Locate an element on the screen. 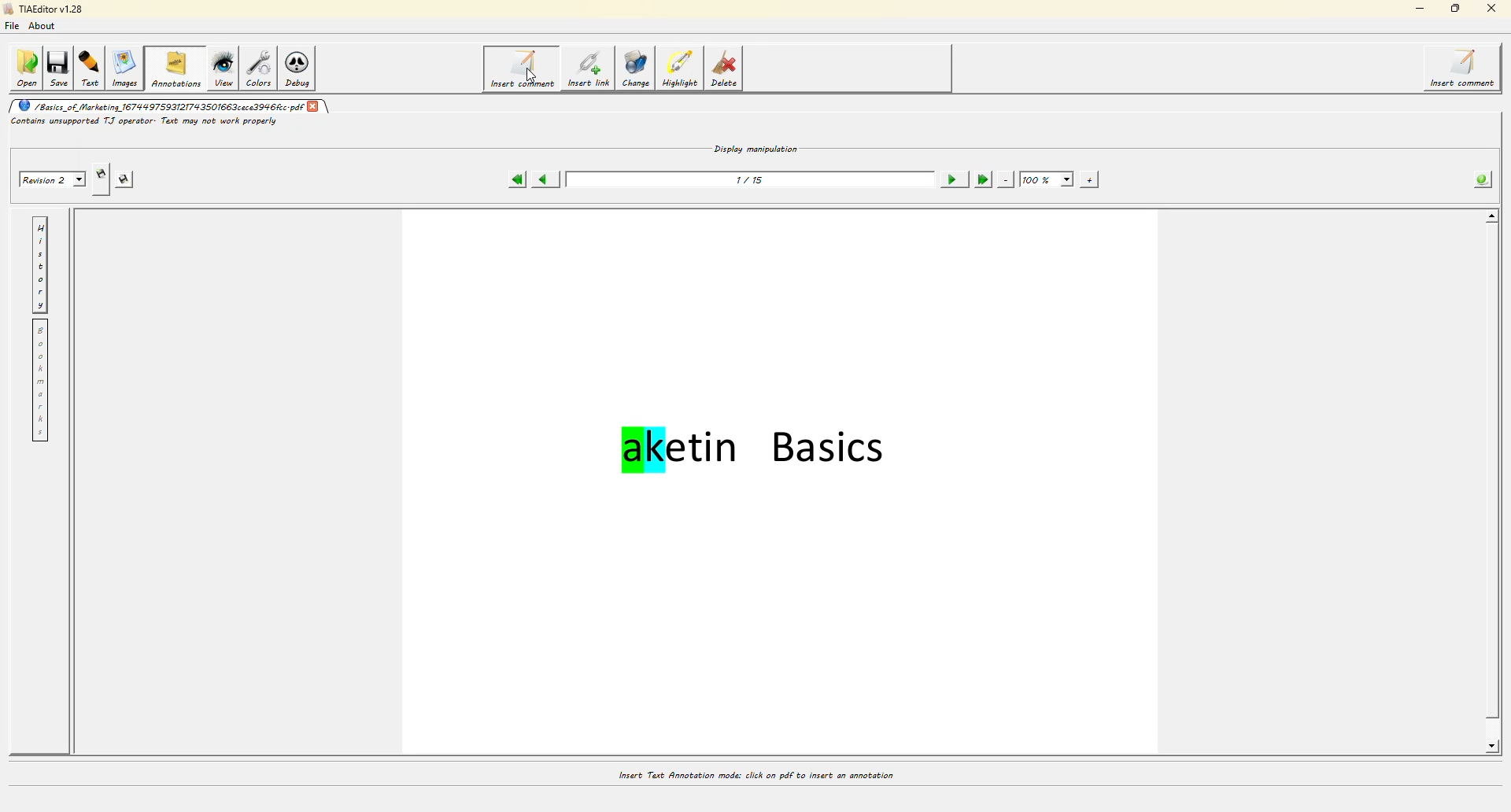 This screenshot has width=1511, height=812. first page is located at coordinates (516, 179).